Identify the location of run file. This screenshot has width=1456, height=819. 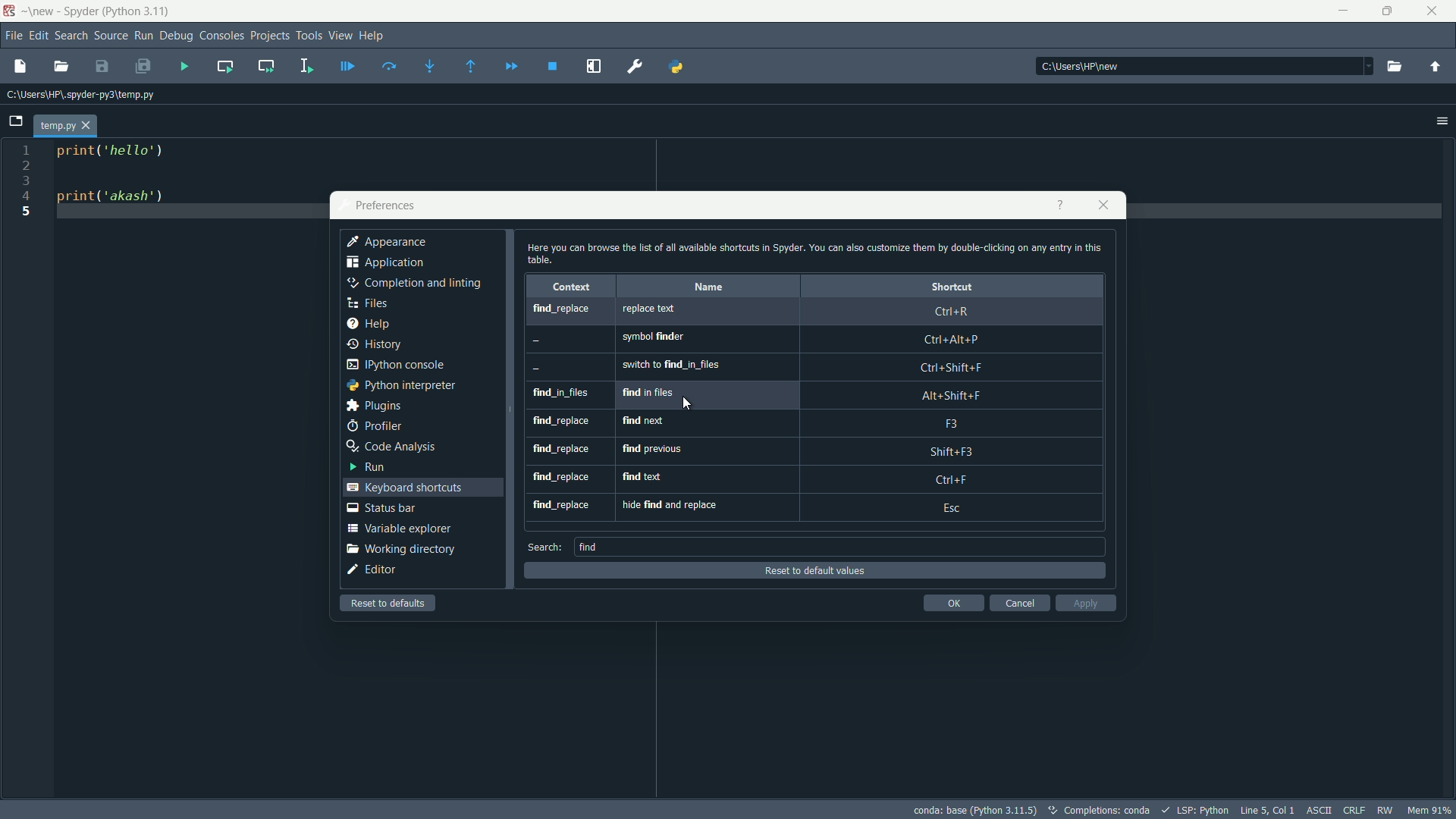
(186, 65).